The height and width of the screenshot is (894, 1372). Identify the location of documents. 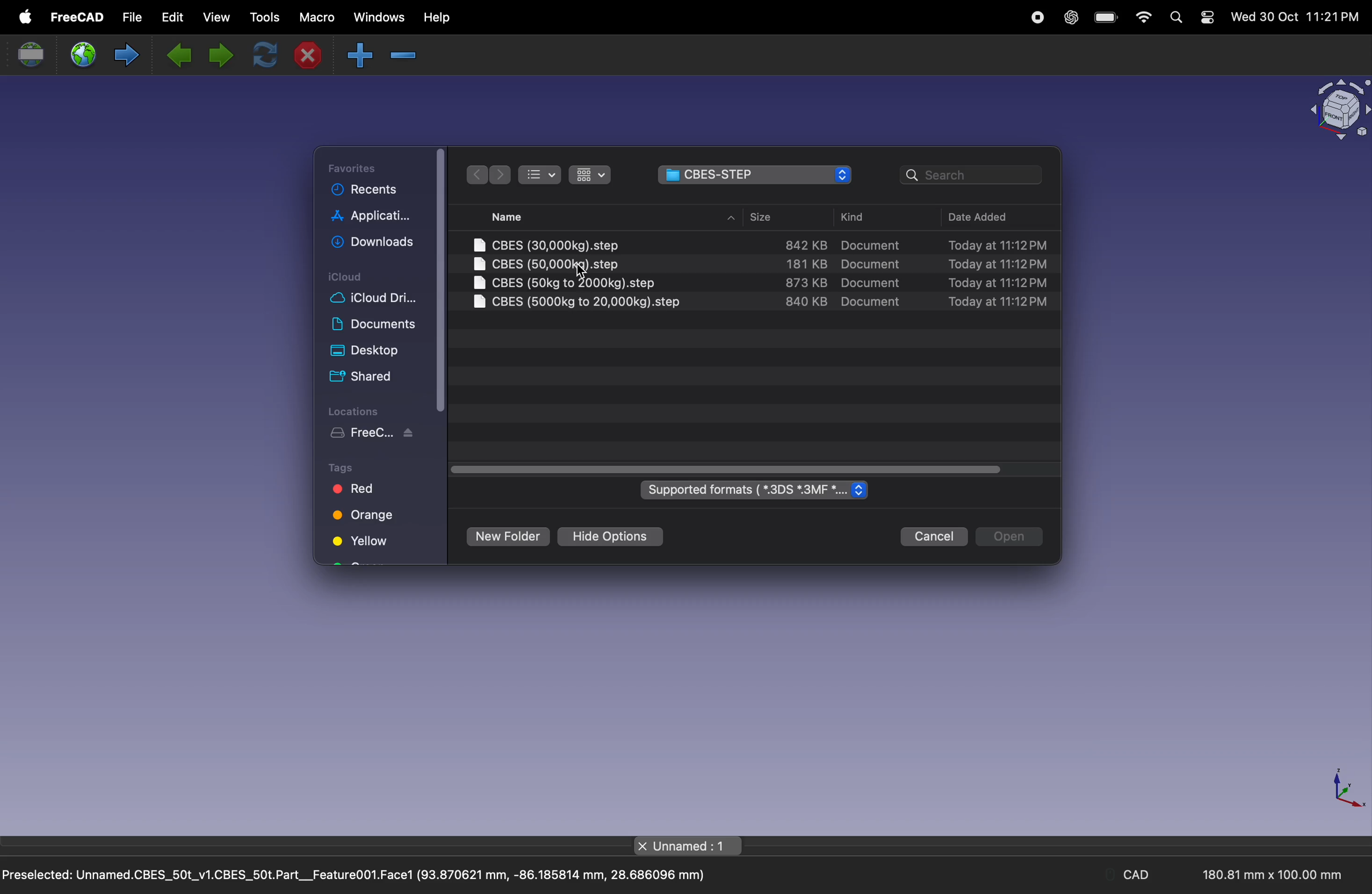
(374, 323).